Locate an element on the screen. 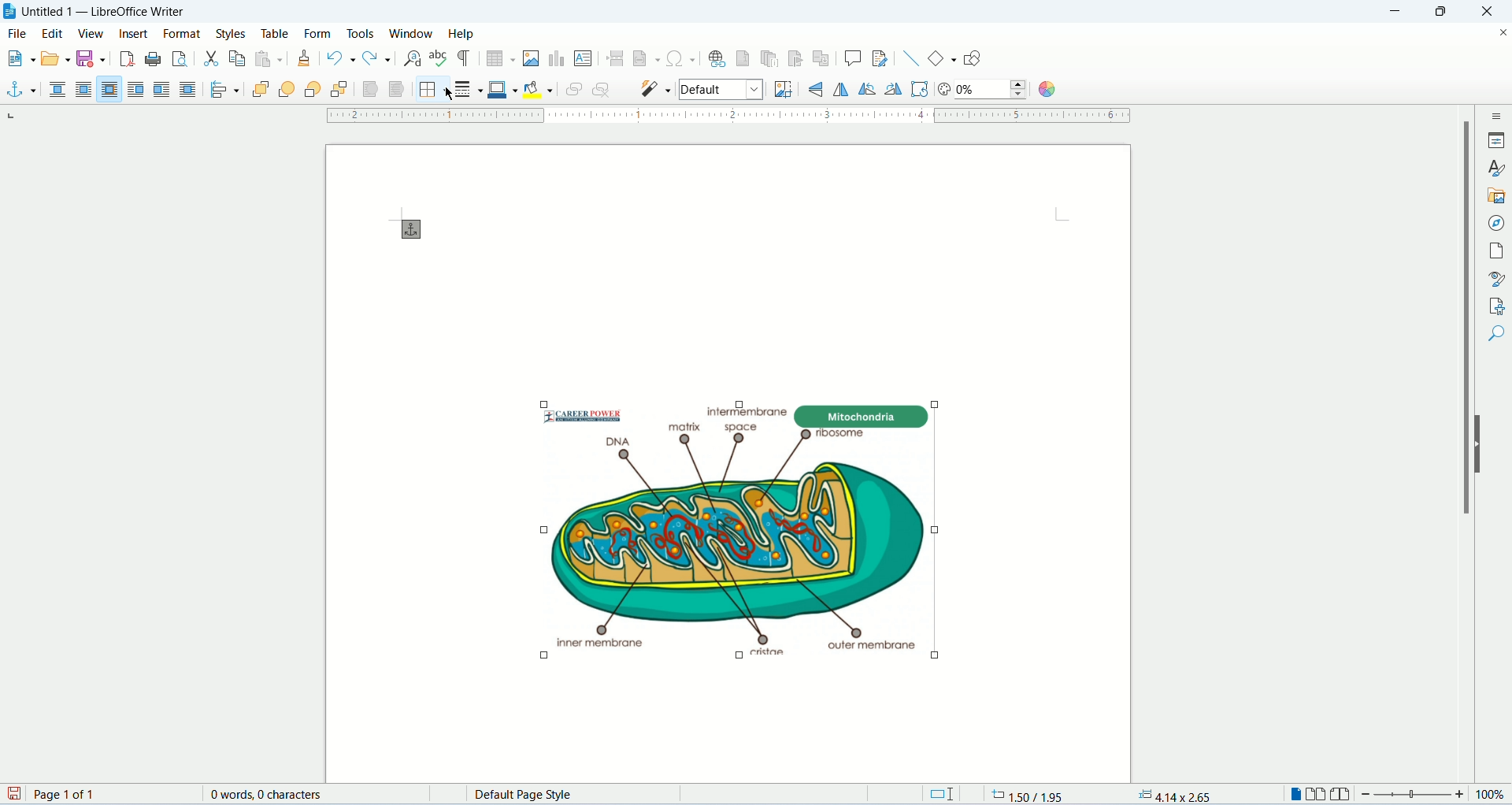 The width and height of the screenshot is (1512, 805). to background is located at coordinates (398, 91).